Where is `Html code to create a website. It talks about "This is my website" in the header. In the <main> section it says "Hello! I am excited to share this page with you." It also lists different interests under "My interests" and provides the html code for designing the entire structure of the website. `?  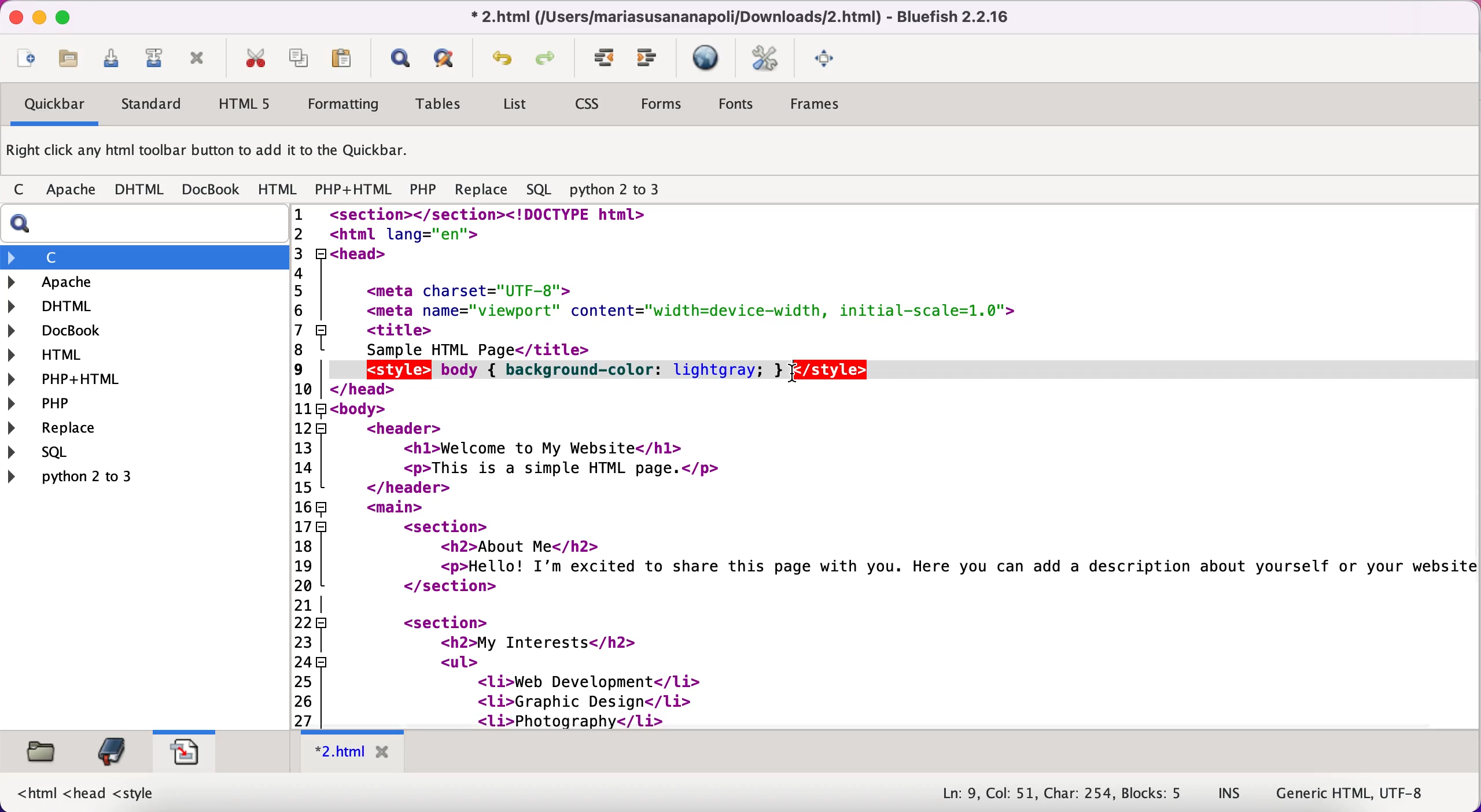
Html code to create a website. It talks about "This is my website" in the header. In the <main> section it says "Hello! I am excited to share this page with you." It also lists different interests under "My interests" and provides the html code for designing the entire structure of the website.  is located at coordinates (906, 466).